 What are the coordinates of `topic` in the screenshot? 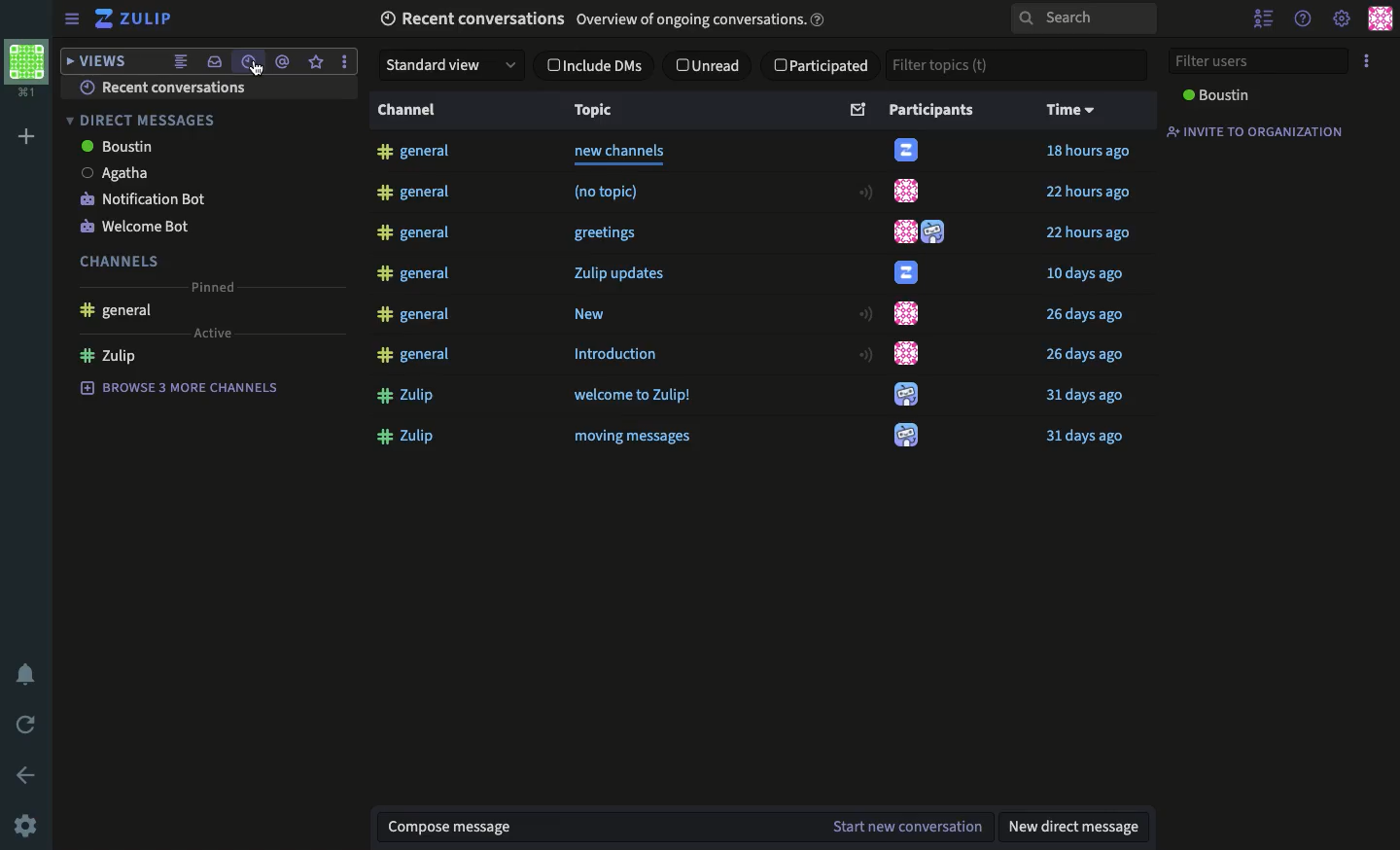 It's located at (623, 116).